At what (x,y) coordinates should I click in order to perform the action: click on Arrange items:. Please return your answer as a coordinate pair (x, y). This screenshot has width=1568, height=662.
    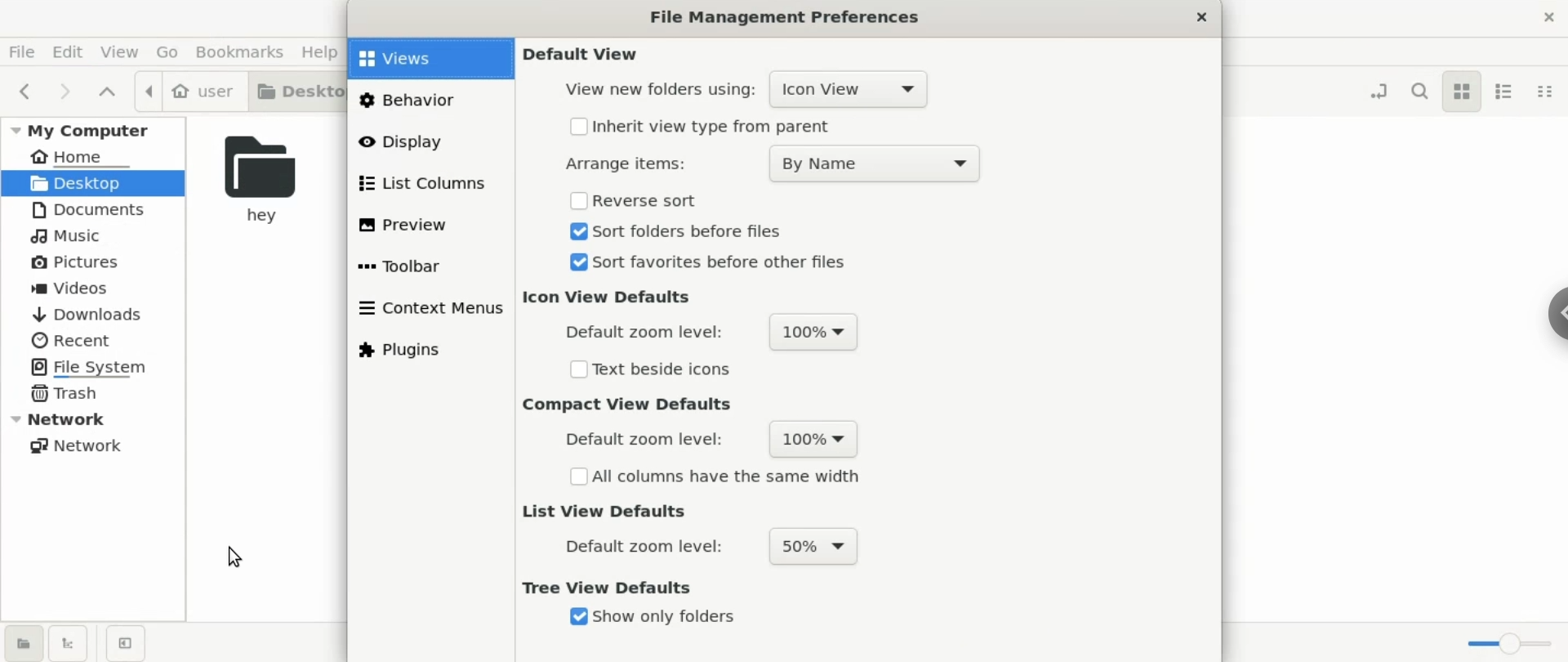
    Looking at the image, I should click on (629, 162).